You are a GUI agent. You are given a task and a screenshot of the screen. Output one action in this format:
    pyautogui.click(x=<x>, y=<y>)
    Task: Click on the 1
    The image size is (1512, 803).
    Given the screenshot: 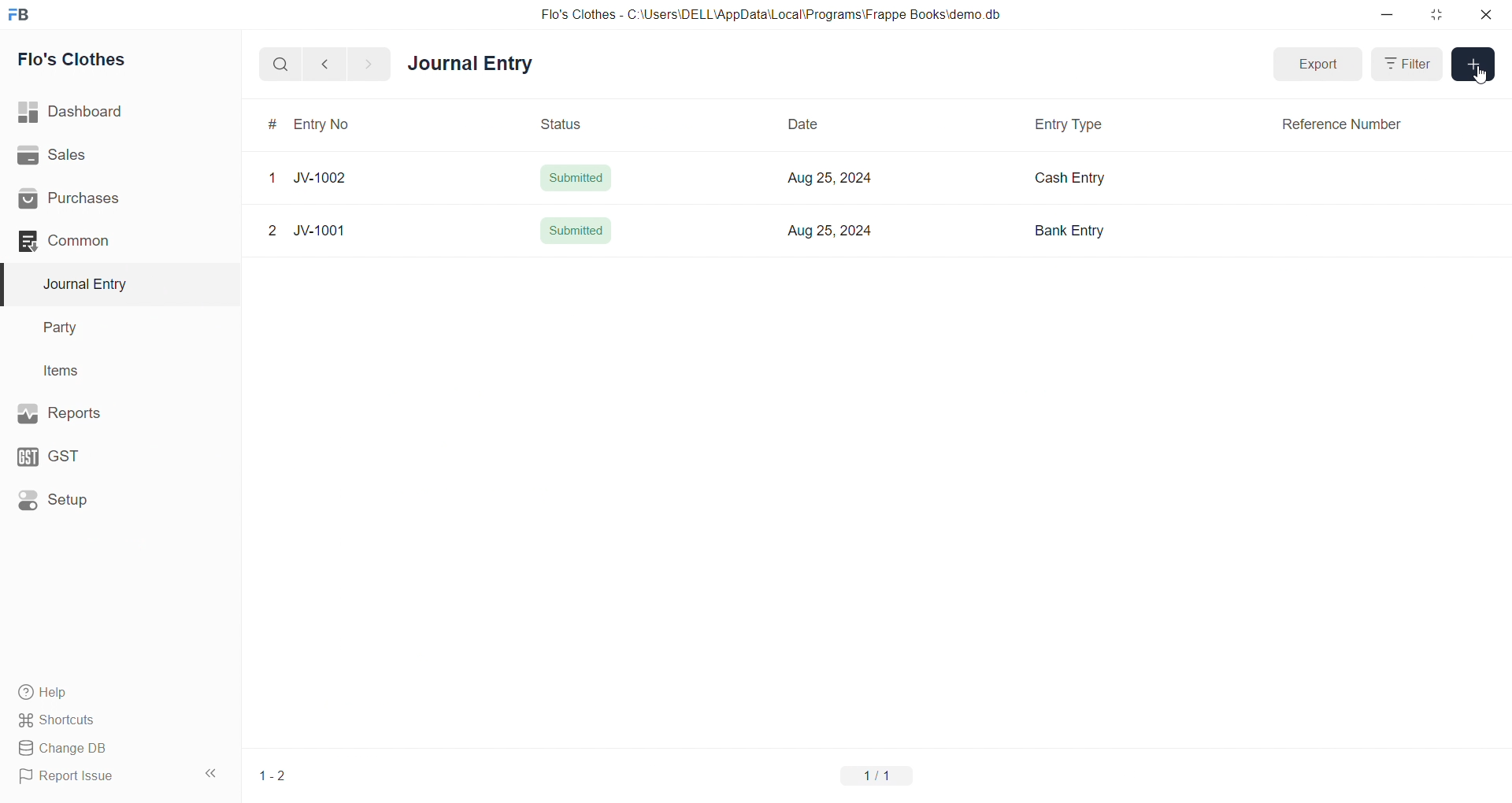 What is the action you would take?
    pyautogui.click(x=271, y=179)
    